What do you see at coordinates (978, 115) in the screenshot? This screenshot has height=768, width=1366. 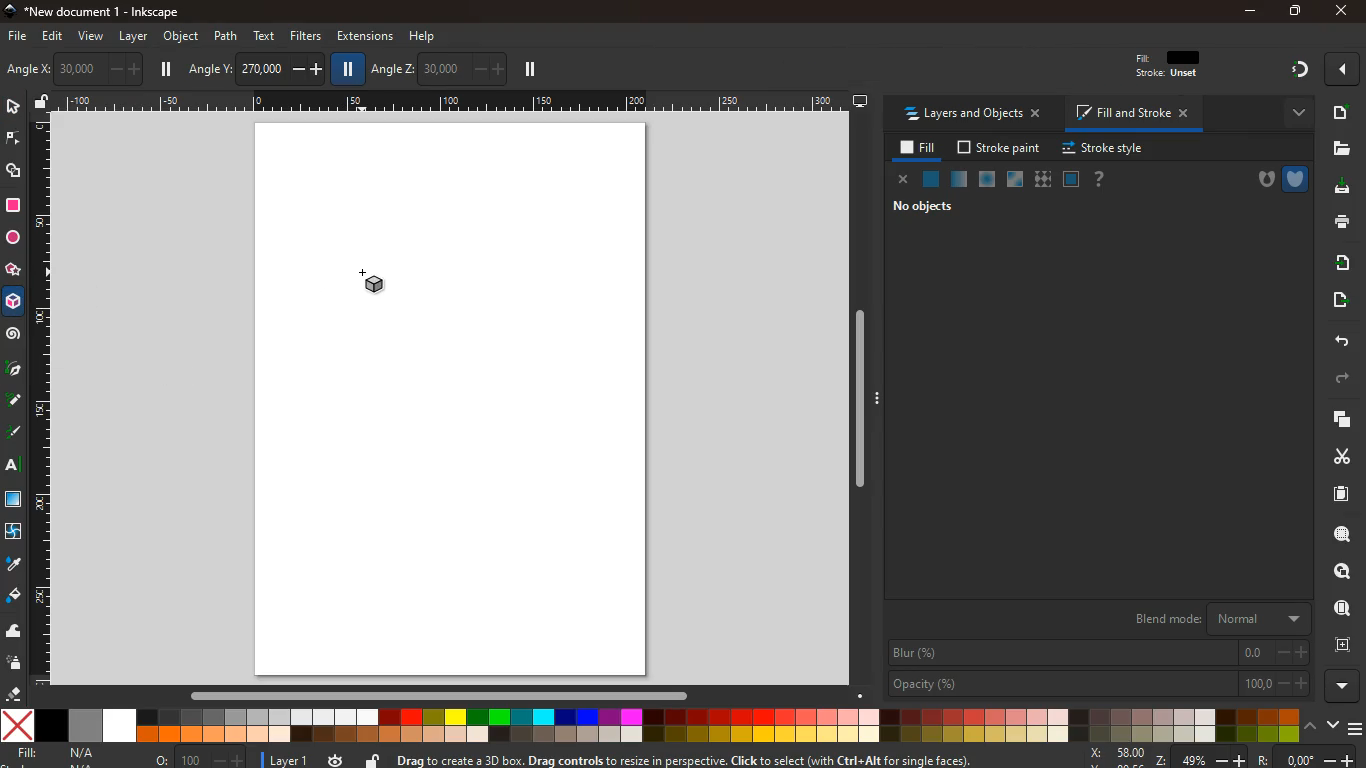 I see `layers and objects` at bounding box center [978, 115].